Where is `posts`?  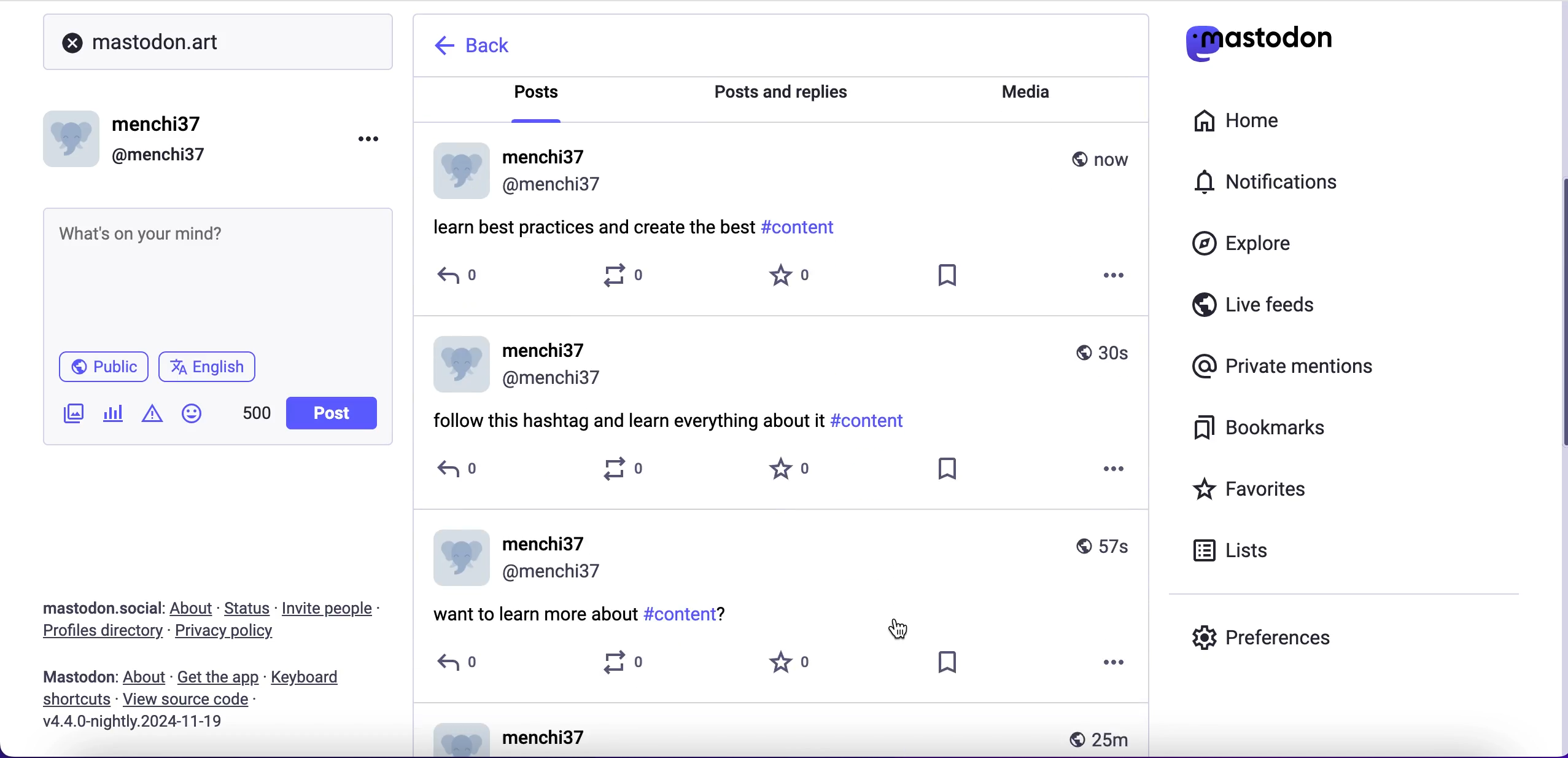
posts is located at coordinates (540, 96).